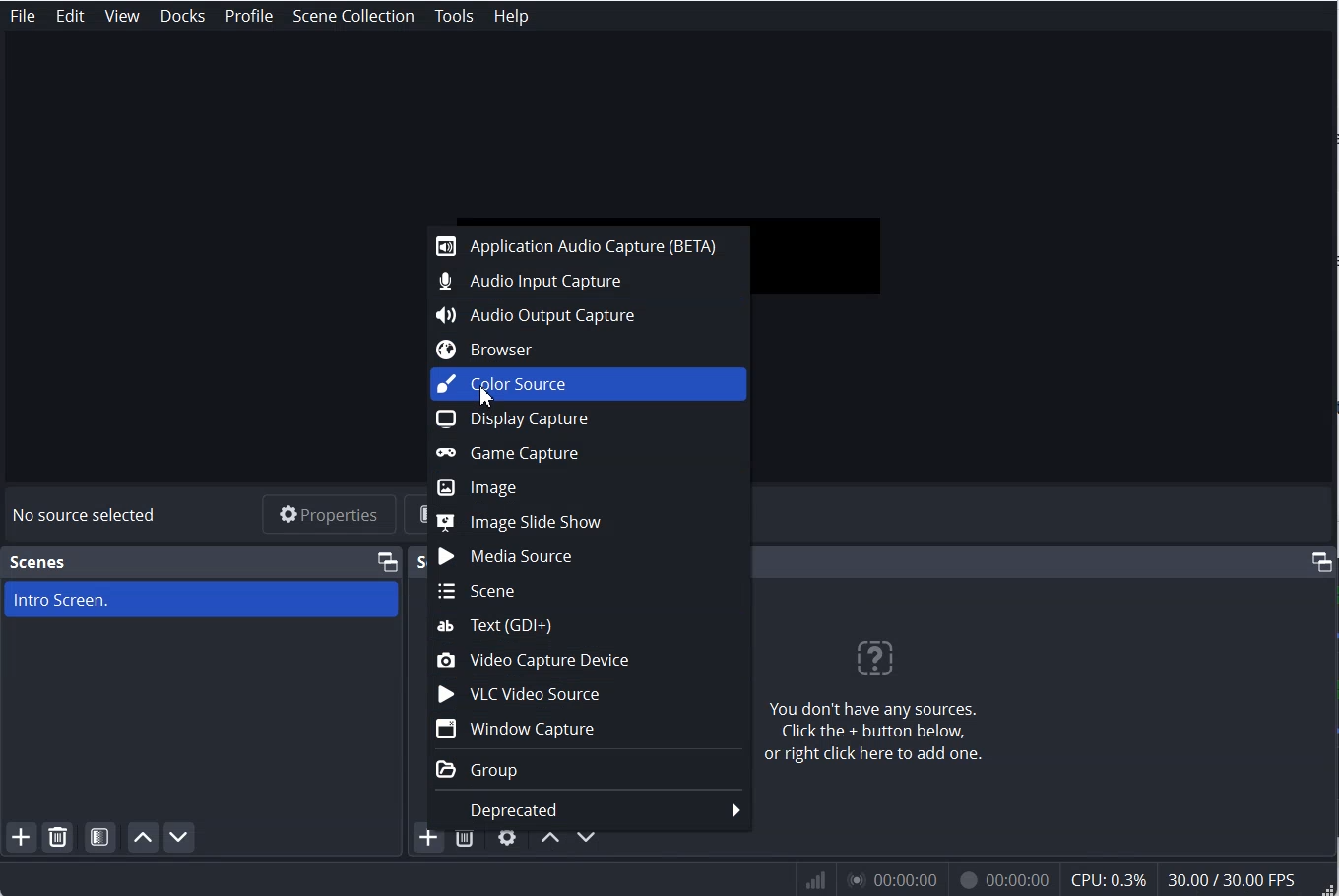 The width and height of the screenshot is (1339, 896). I want to click on WIfi, so click(817, 880).